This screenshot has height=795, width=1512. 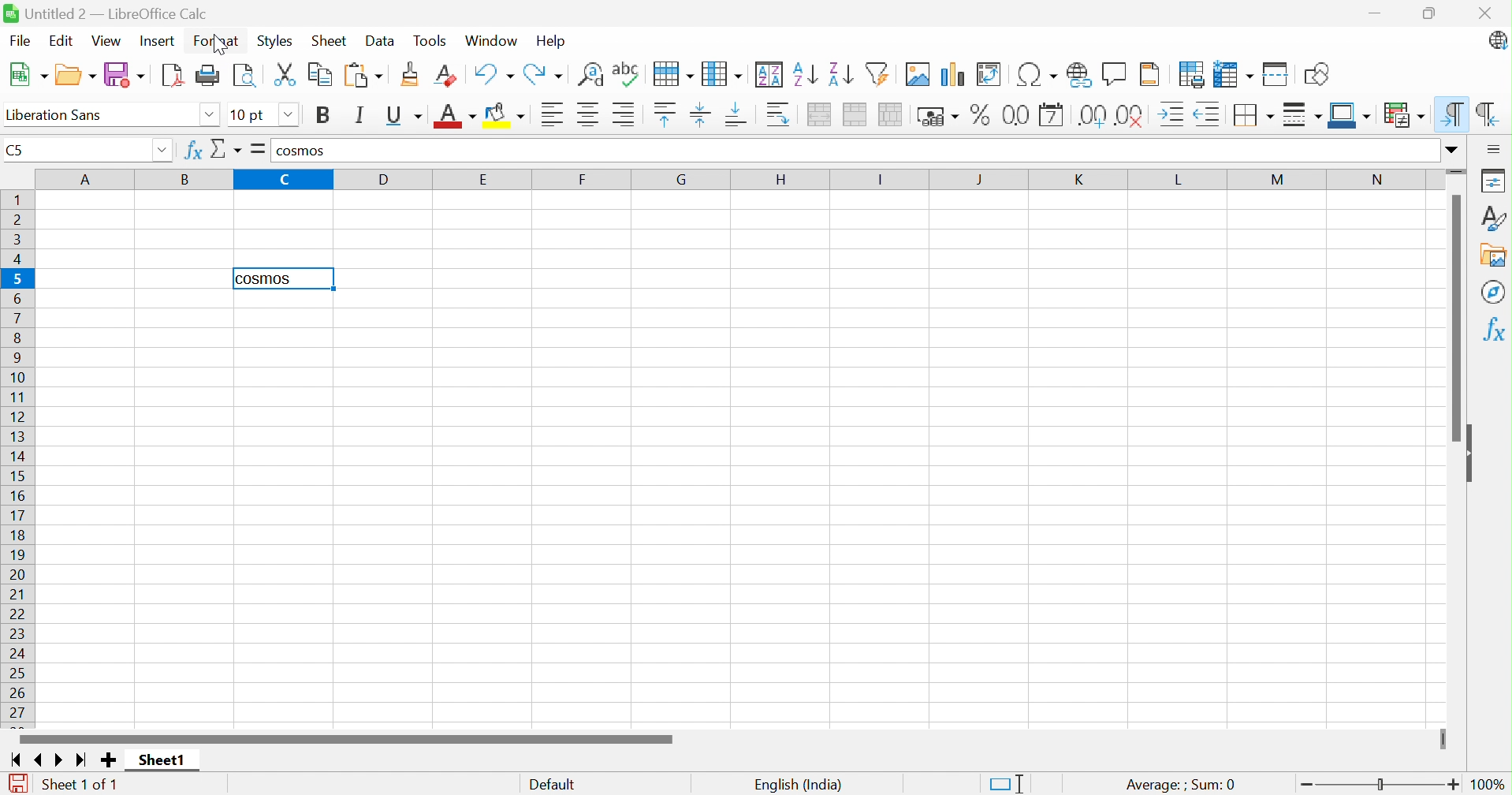 What do you see at coordinates (1453, 786) in the screenshot?
I see `Zoom in` at bounding box center [1453, 786].